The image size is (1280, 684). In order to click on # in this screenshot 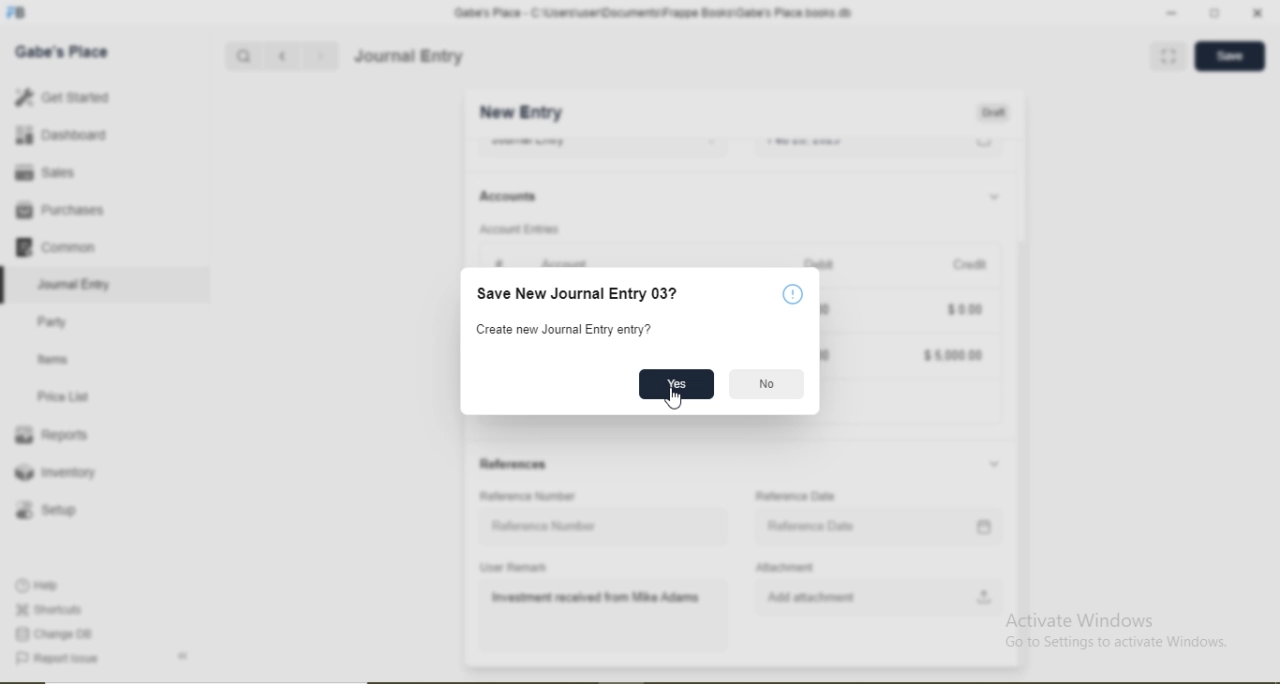, I will do `click(499, 264)`.